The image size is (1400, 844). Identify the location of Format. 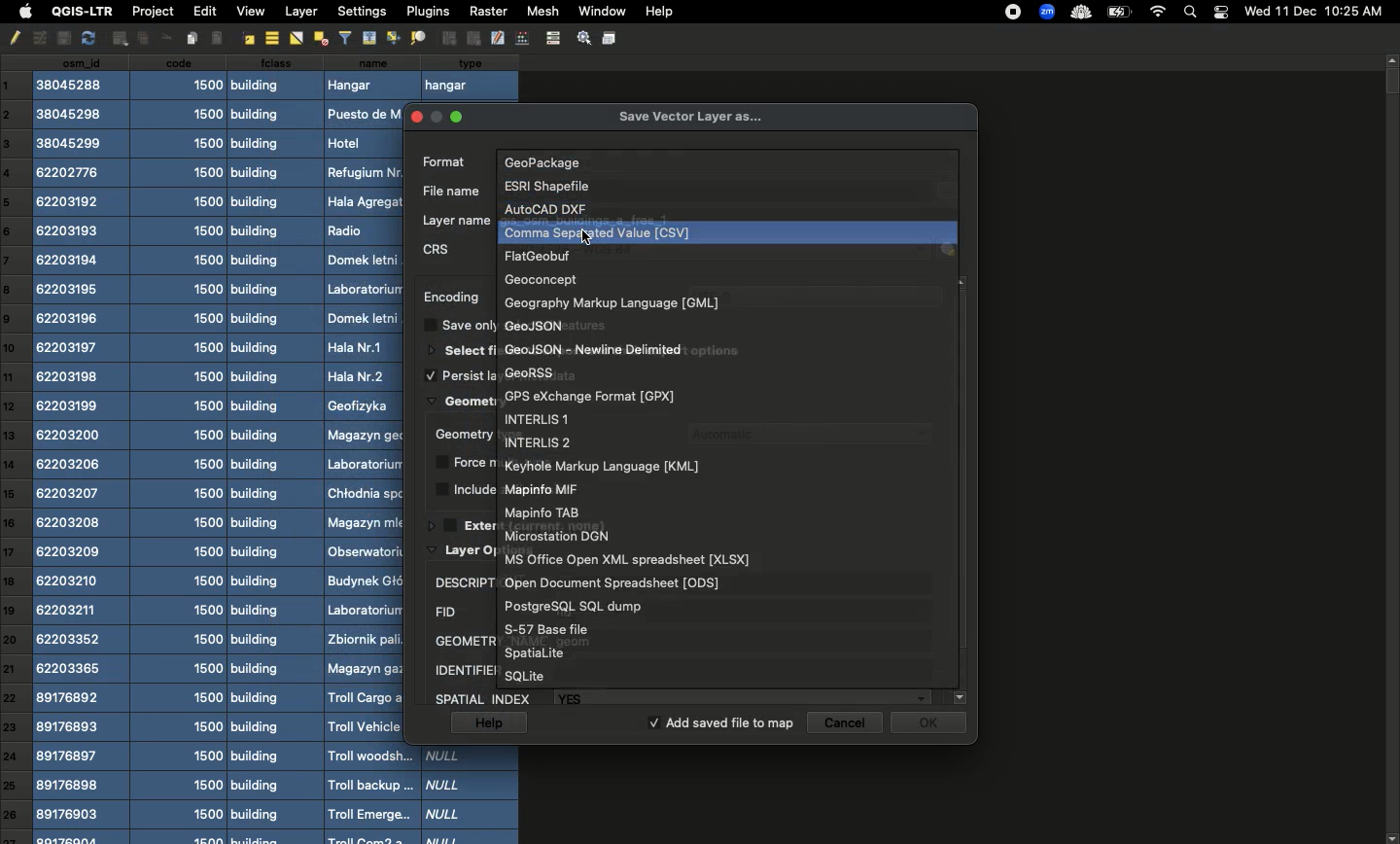
(543, 489).